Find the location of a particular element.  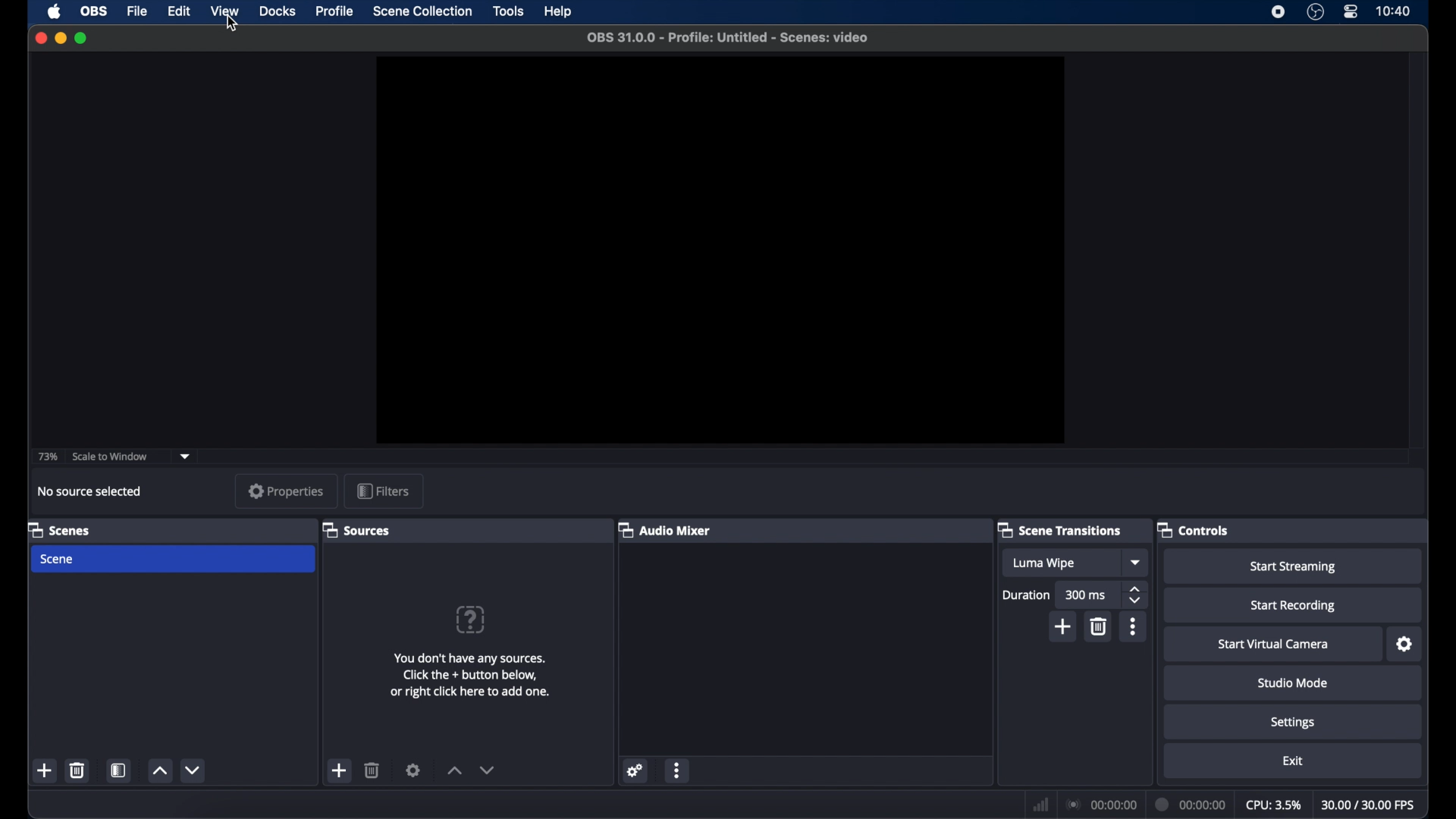

exit is located at coordinates (1293, 761).